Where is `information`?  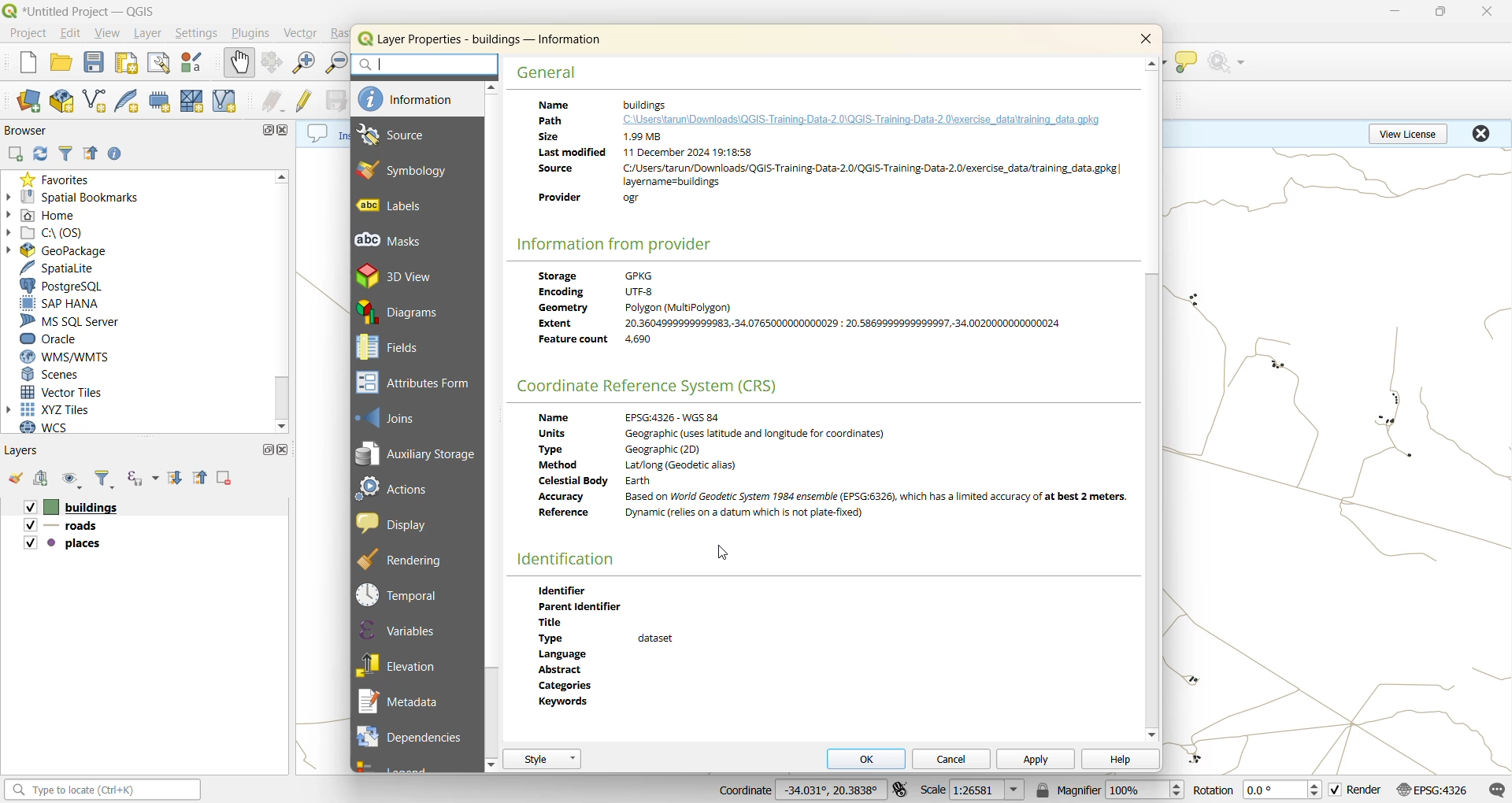
information is located at coordinates (409, 98).